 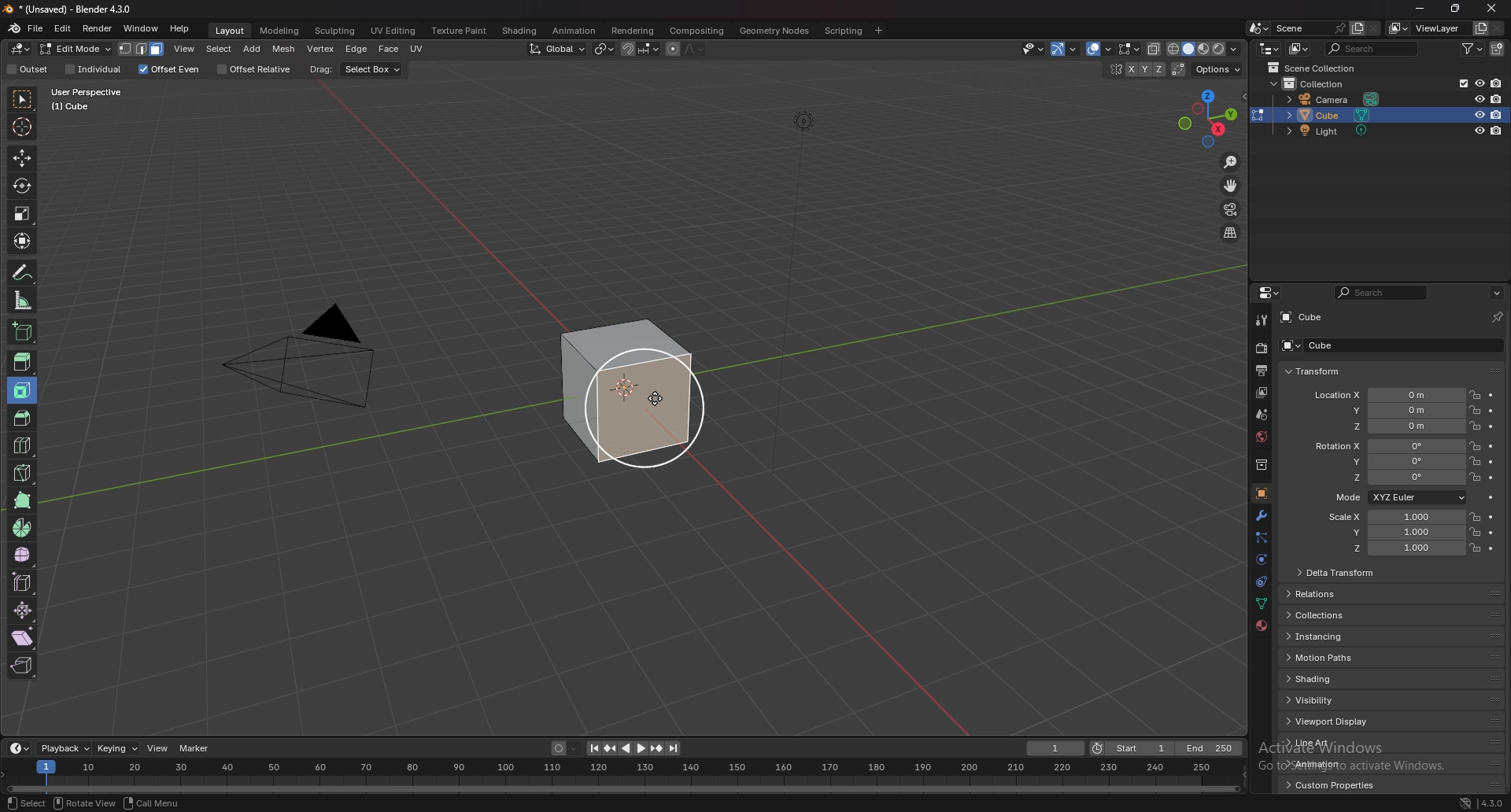 I want to click on editor type, so click(x=1270, y=48).